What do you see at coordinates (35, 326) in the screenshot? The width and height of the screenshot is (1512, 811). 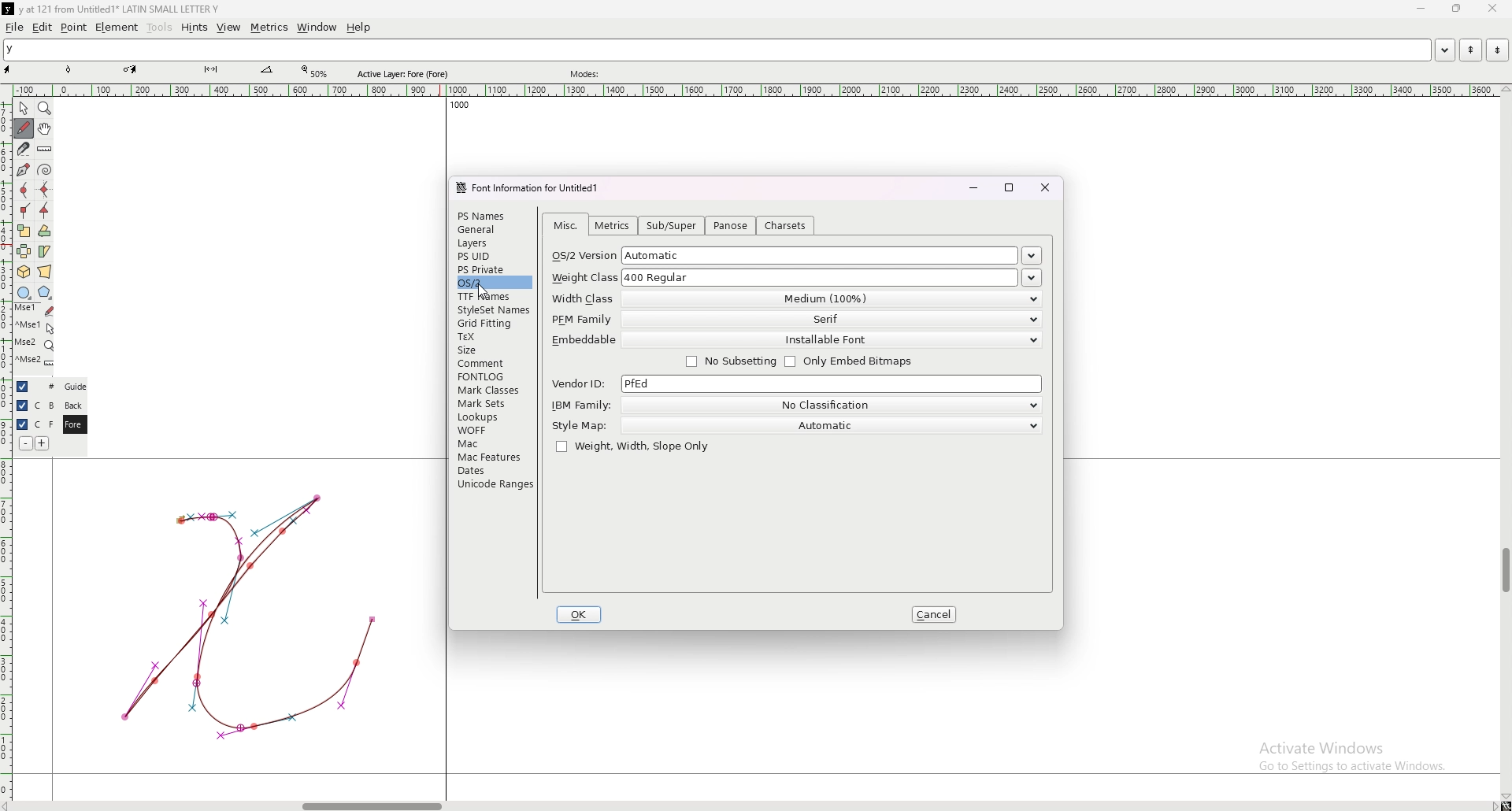 I see `mse 1` at bounding box center [35, 326].